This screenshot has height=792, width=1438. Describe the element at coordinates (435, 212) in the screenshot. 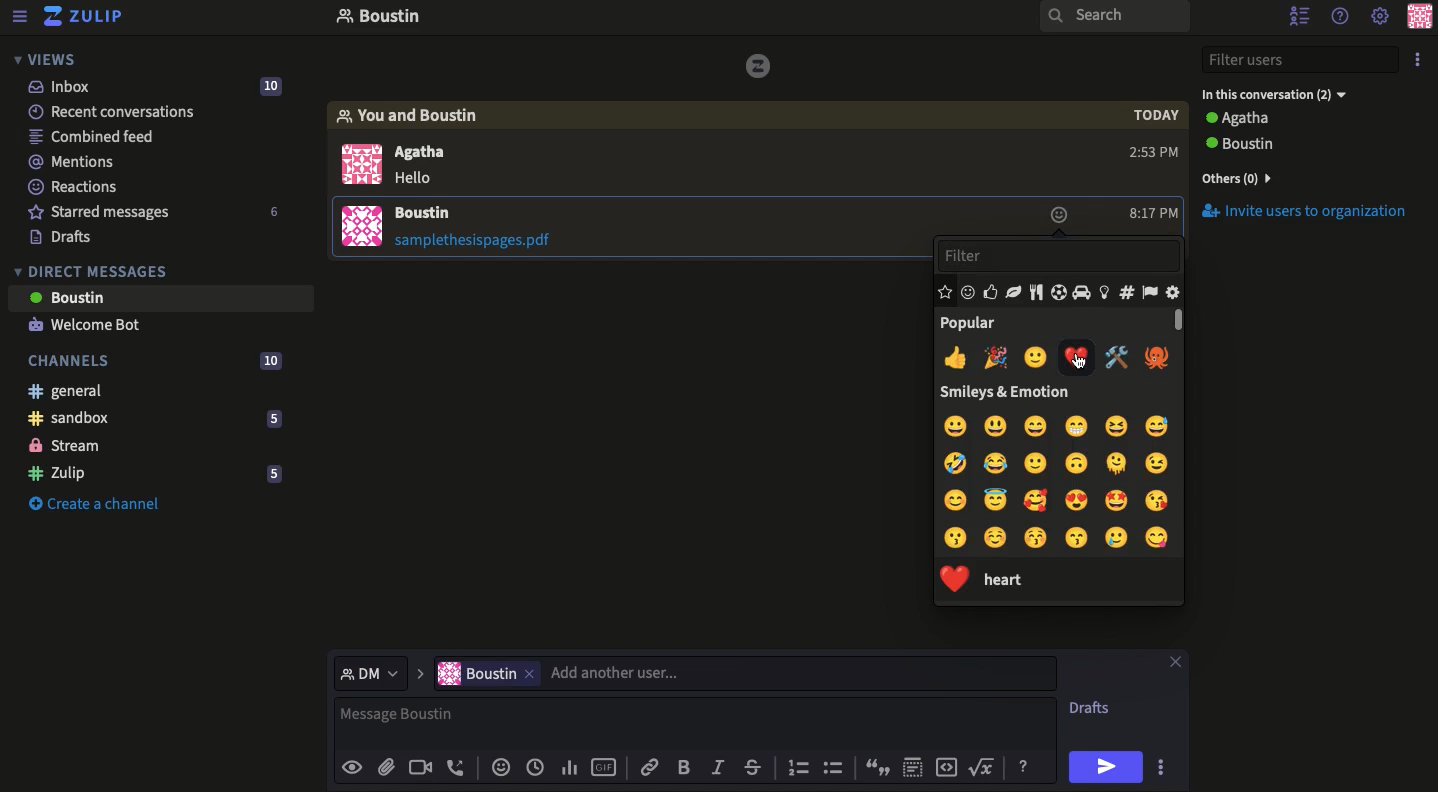

I see `User` at that location.